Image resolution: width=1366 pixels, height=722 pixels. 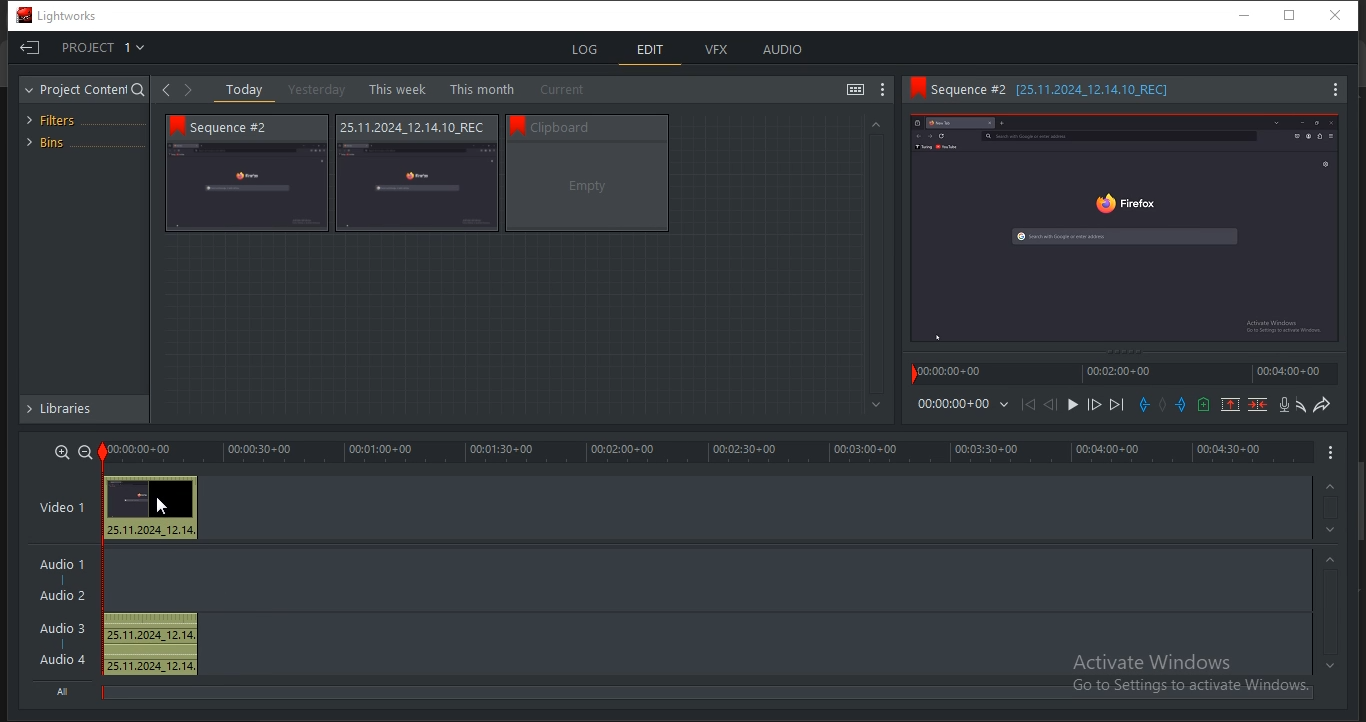 What do you see at coordinates (419, 187) in the screenshot?
I see `video thumbnail` at bounding box center [419, 187].